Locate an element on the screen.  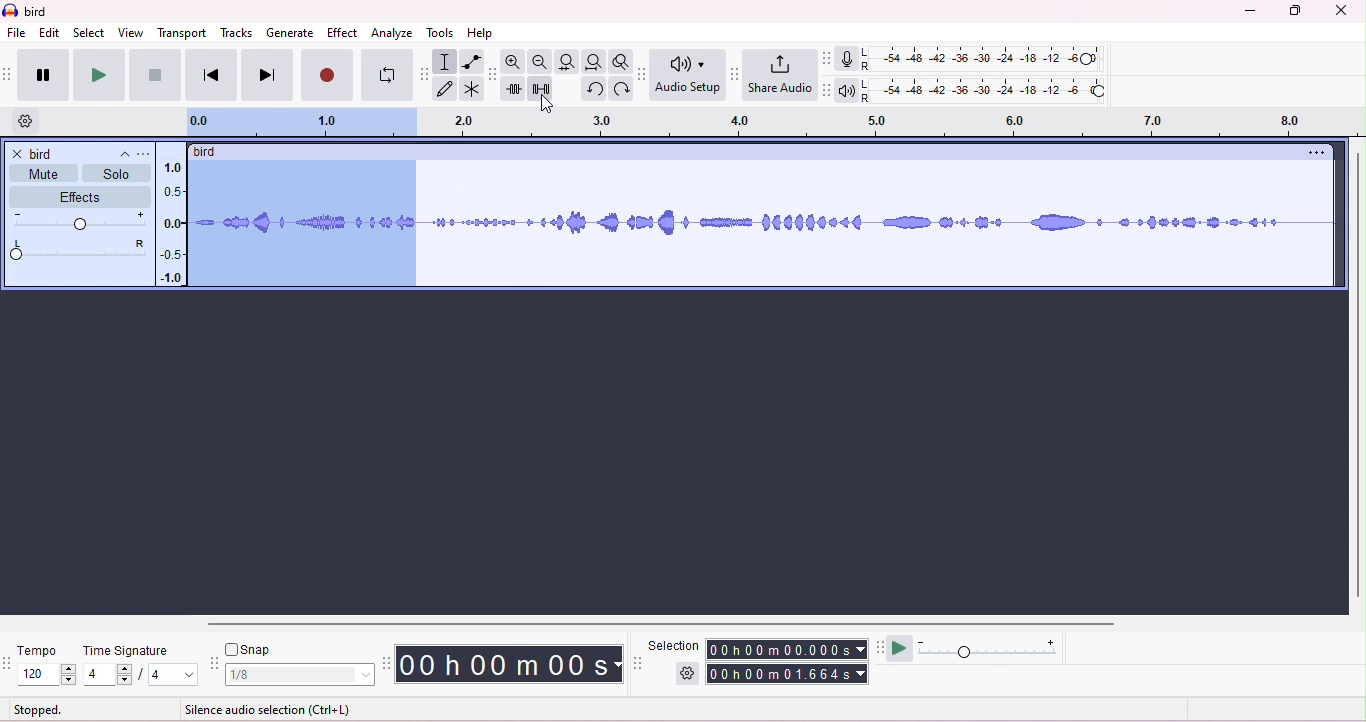
playback speed is located at coordinates (993, 647).